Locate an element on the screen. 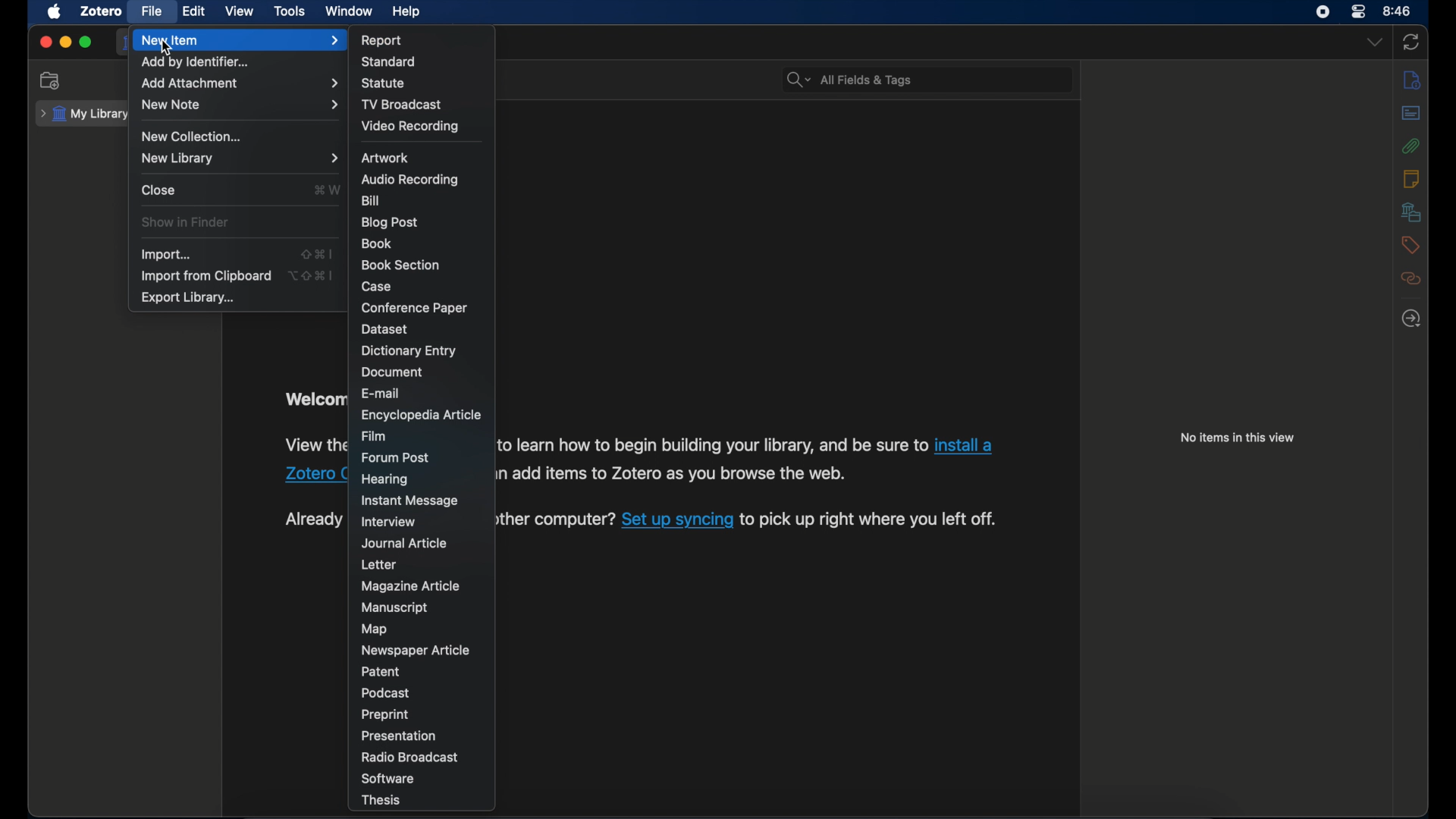 The image size is (1456, 819). text is located at coordinates (314, 519).